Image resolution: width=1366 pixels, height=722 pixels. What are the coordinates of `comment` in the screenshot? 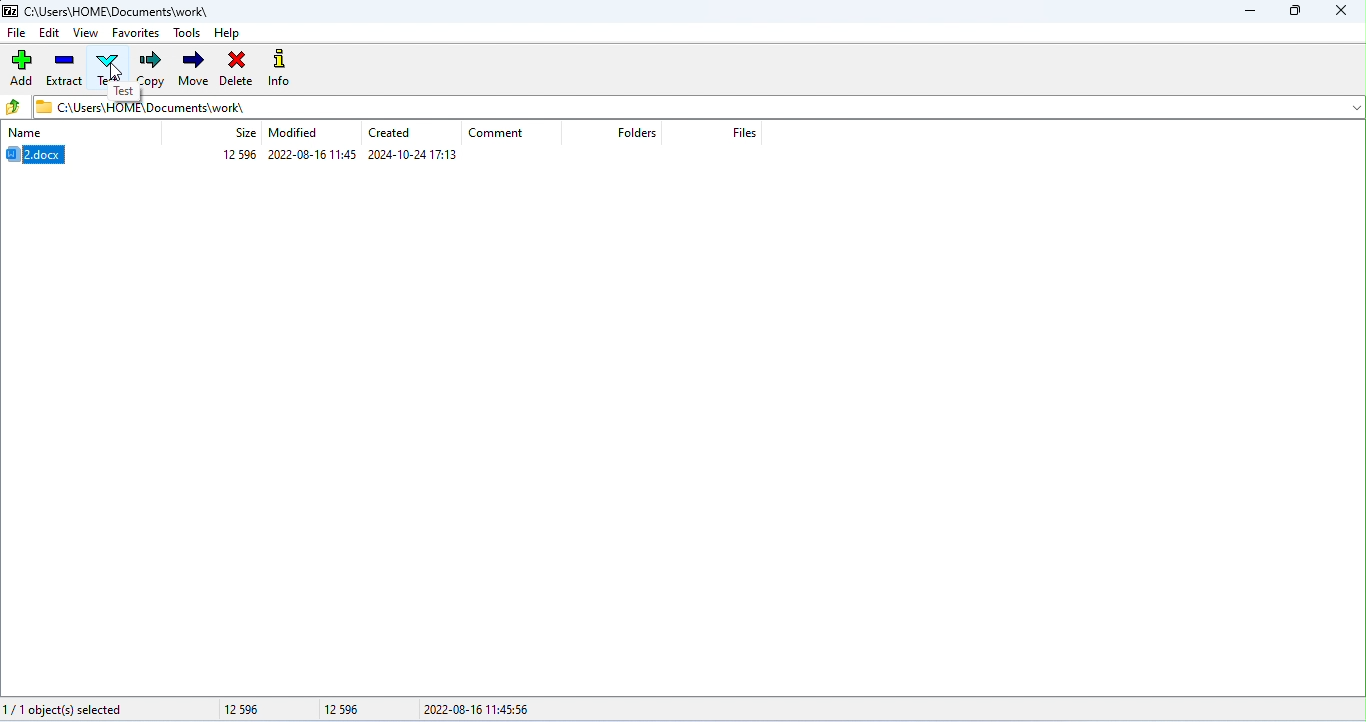 It's located at (497, 134).